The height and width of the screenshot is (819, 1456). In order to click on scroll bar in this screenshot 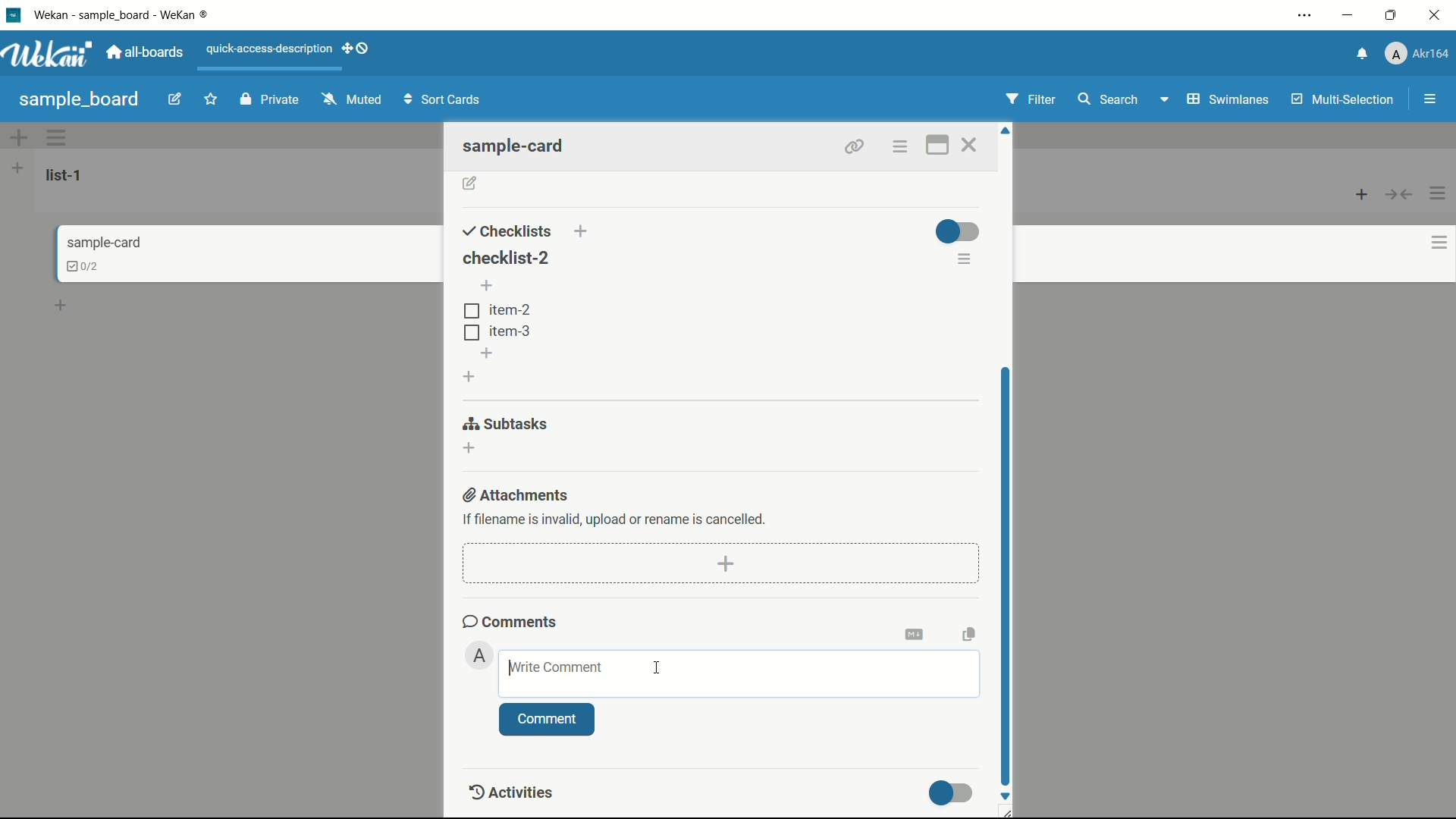, I will do `click(1008, 571)`.